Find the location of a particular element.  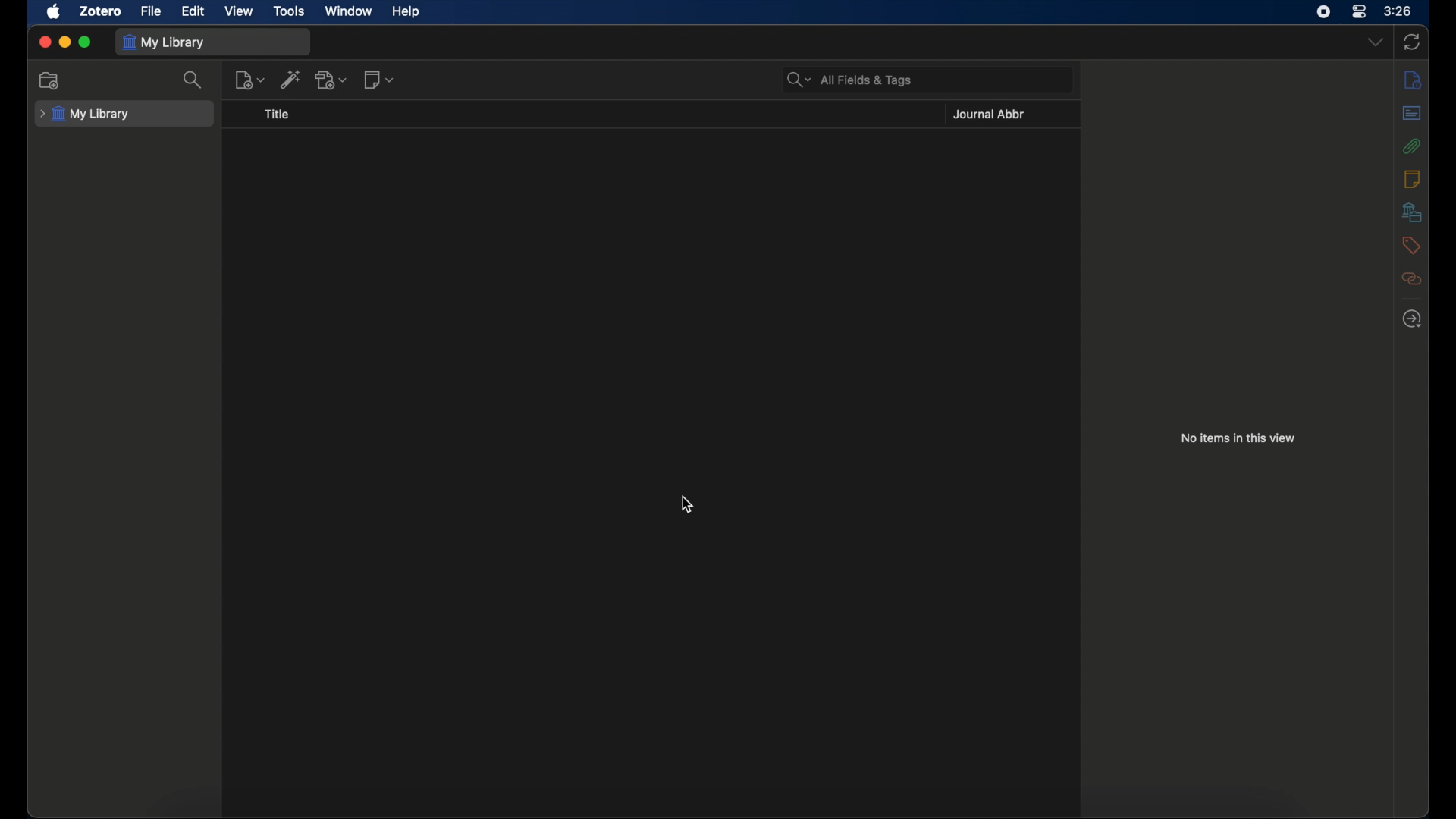

title is located at coordinates (276, 114).